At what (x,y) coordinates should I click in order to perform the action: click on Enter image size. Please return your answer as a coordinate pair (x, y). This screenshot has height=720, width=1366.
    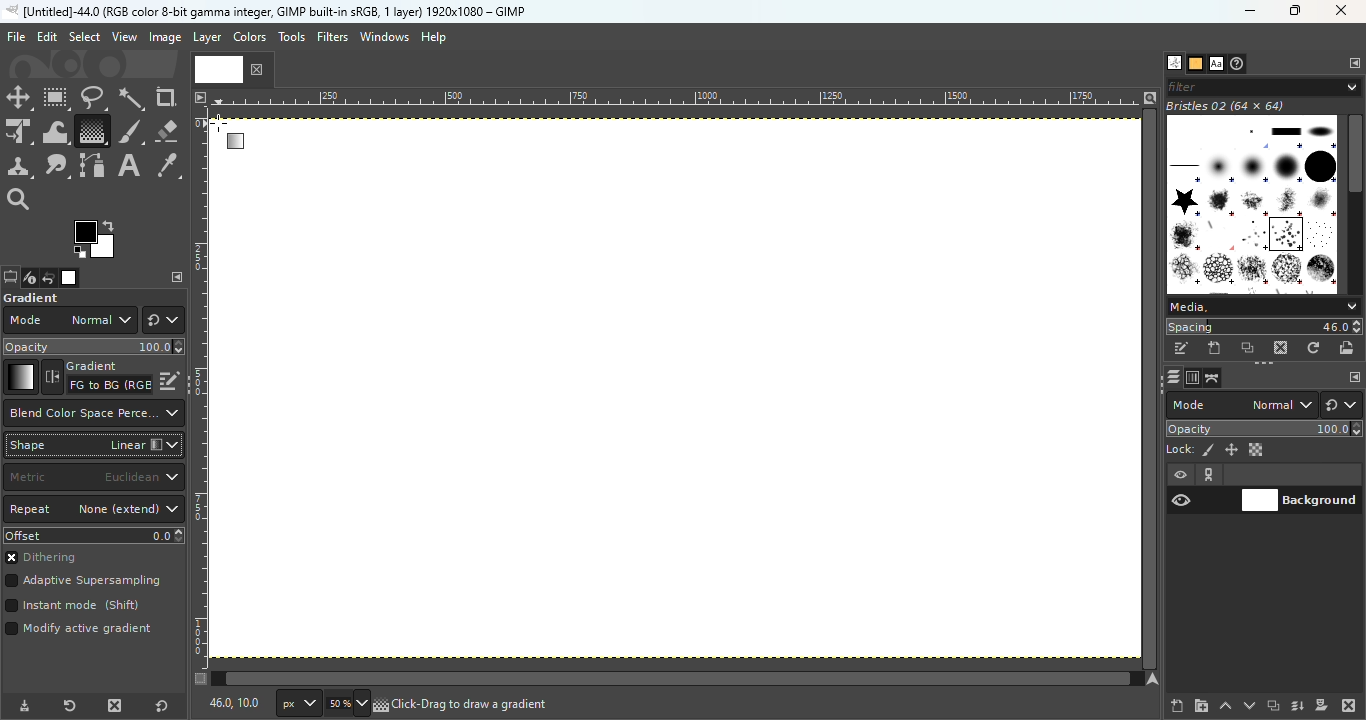
    Looking at the image, I should click on (345, 704).